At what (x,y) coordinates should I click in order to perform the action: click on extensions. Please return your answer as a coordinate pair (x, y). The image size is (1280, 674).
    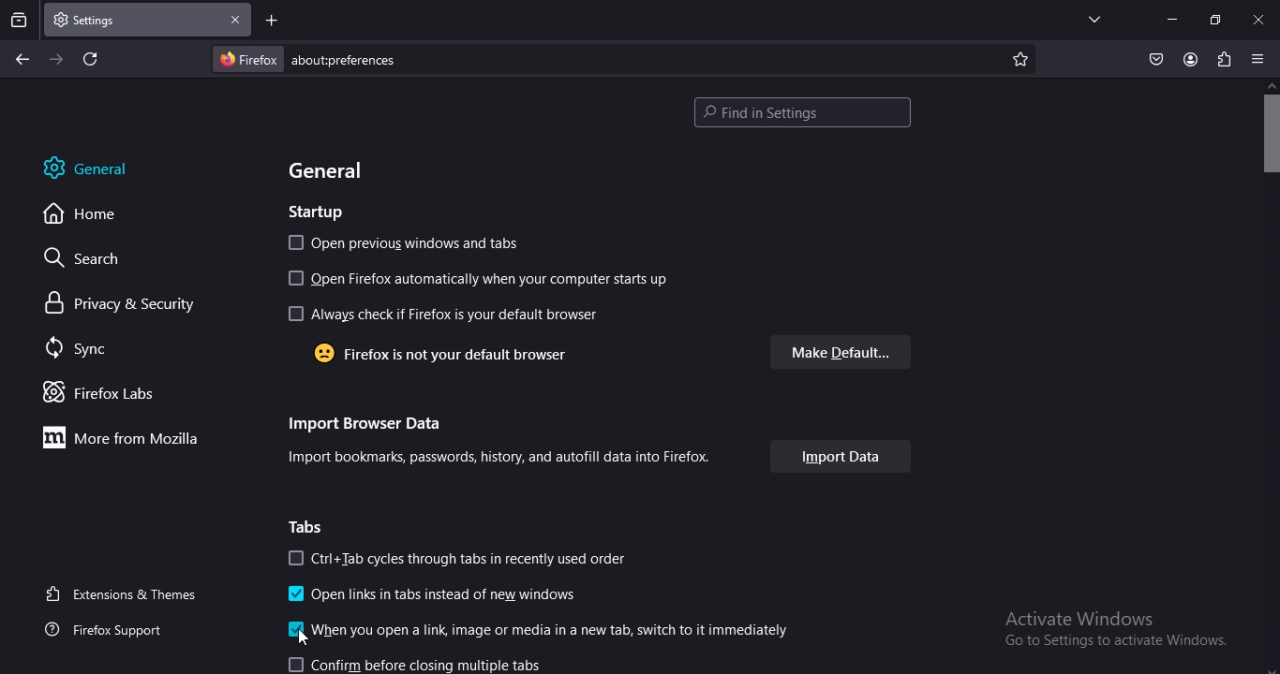
    Looking at the image, I should click on (1222, 58).